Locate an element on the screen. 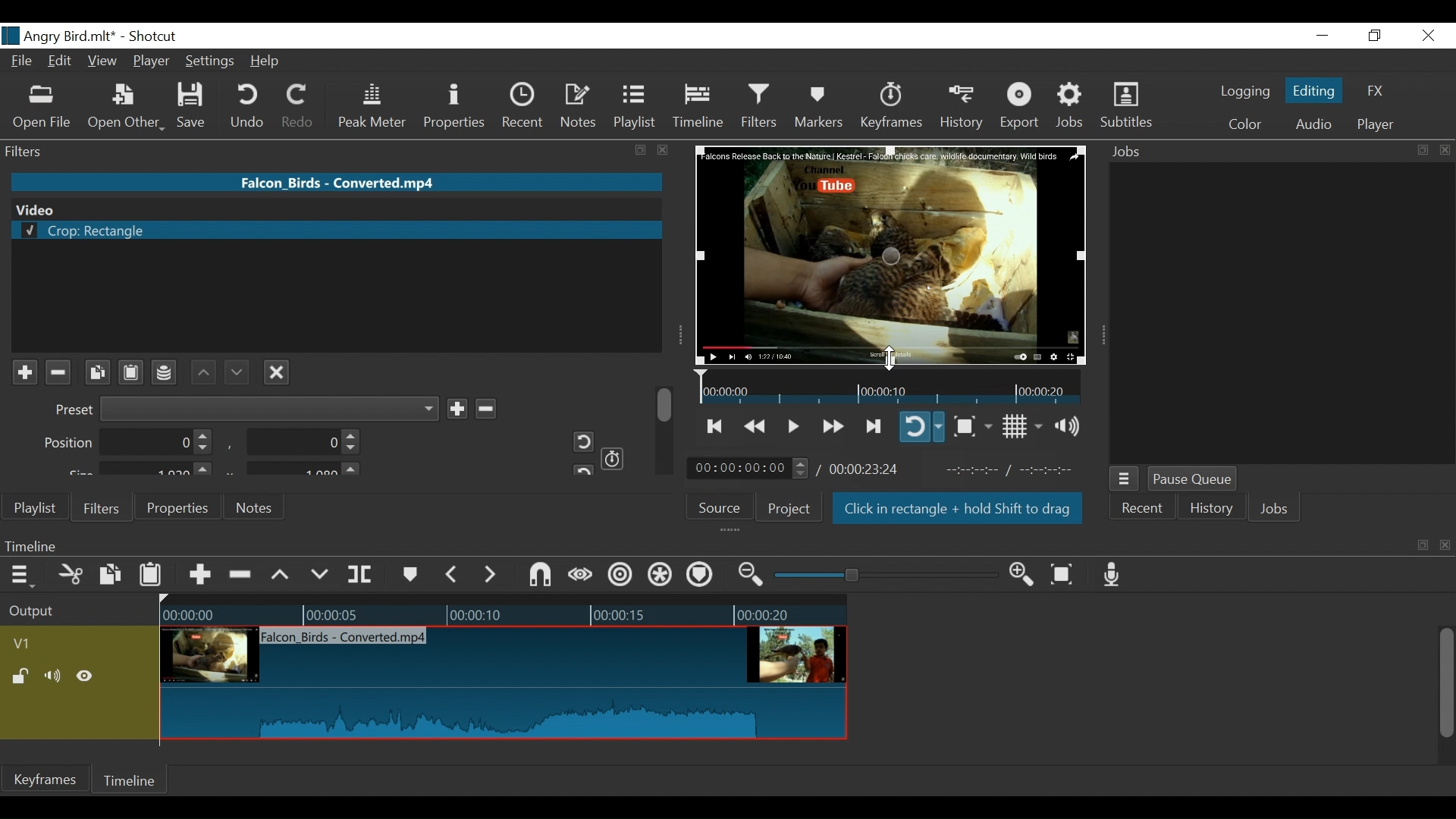 The image size is (1456, 819). Properties is located at coordinates (457, 108).